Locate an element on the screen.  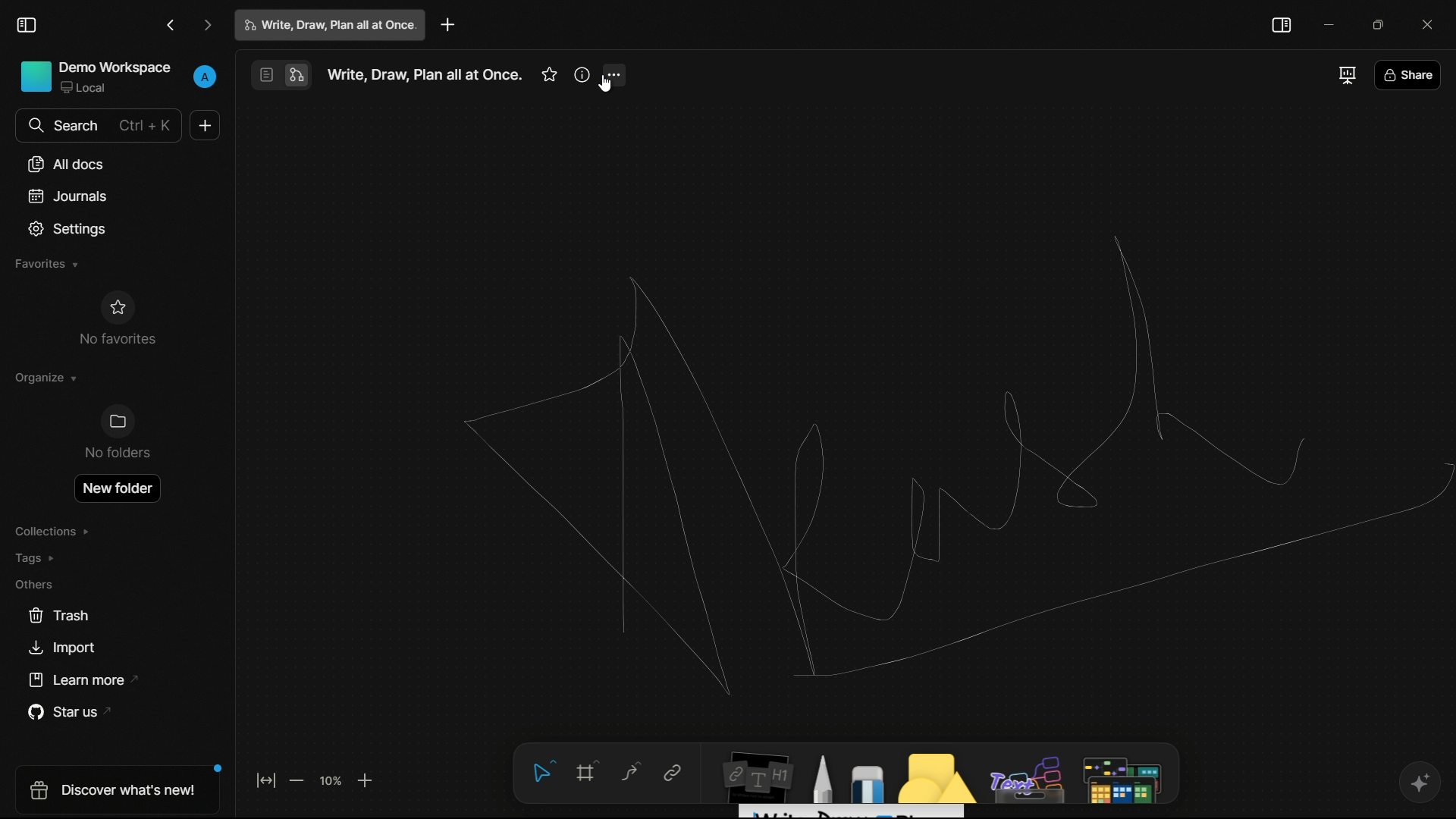
select is located at coordinates (543, 771).